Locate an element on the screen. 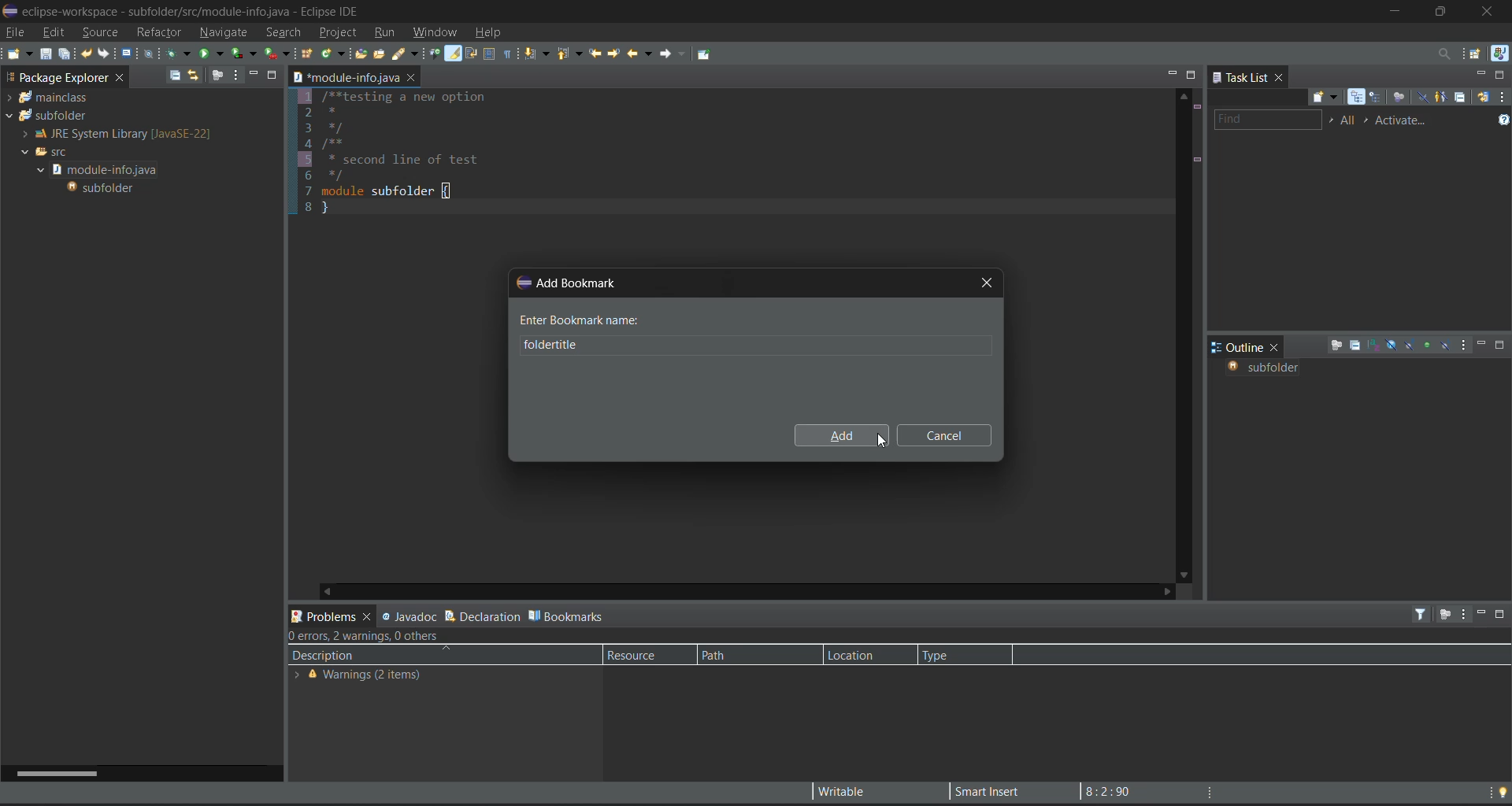 The image size is (1512, 806). hide local types is located at coordinates (1445, 346).